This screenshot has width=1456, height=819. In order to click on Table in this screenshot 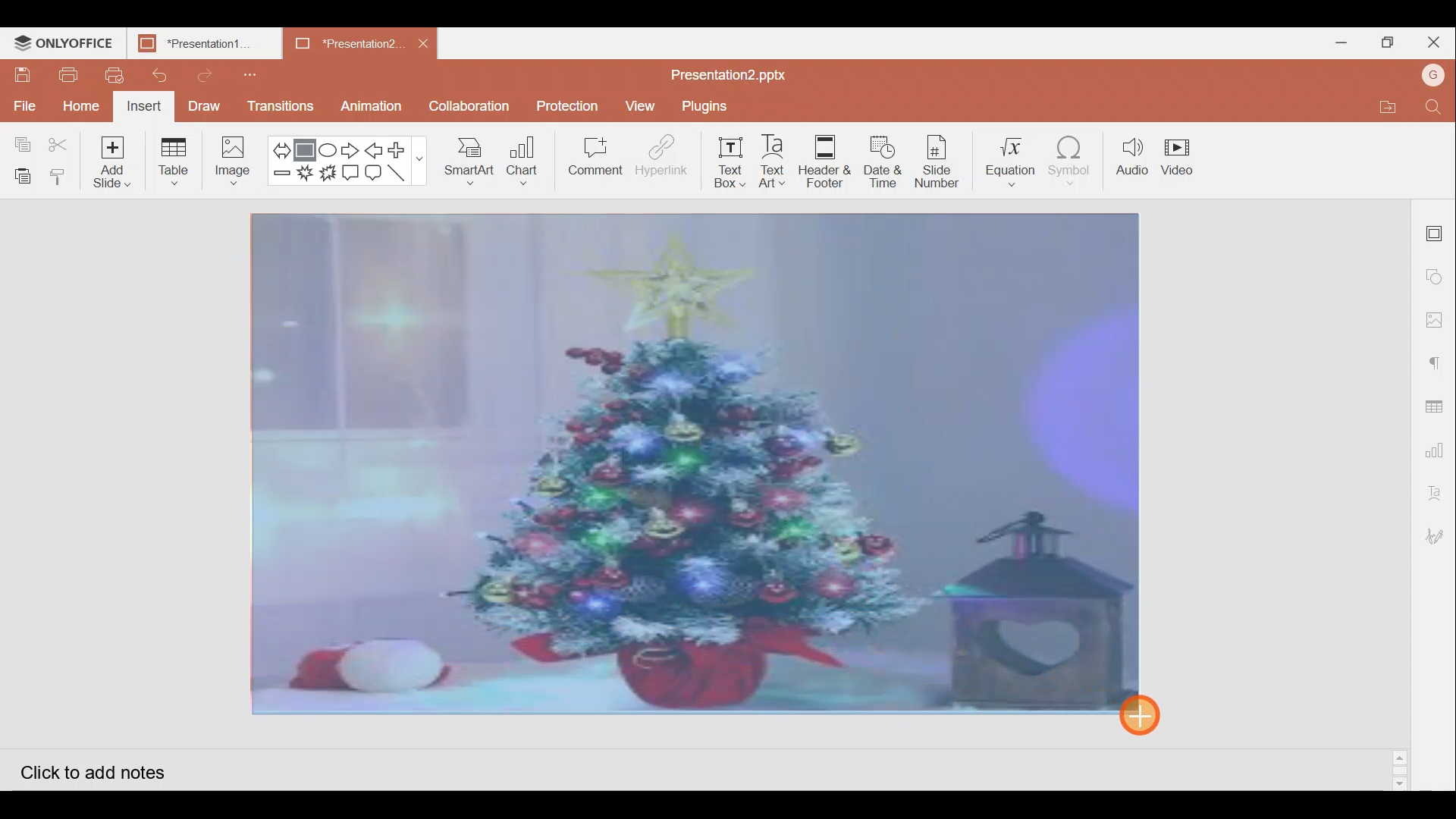, I will do `click(177, 160)`.